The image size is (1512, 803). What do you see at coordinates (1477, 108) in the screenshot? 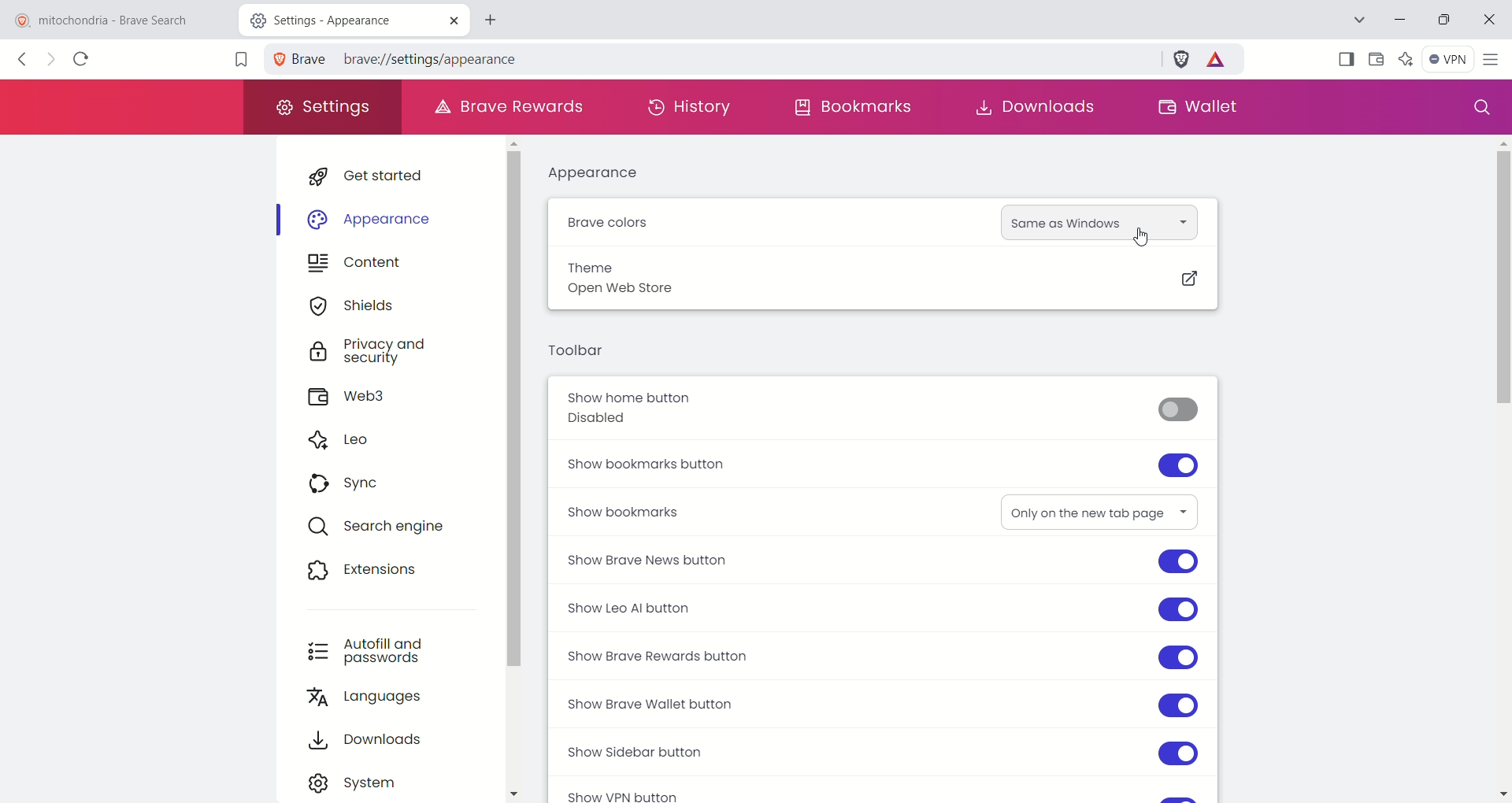
I see `search settings` at bounding box center [1477, 108].